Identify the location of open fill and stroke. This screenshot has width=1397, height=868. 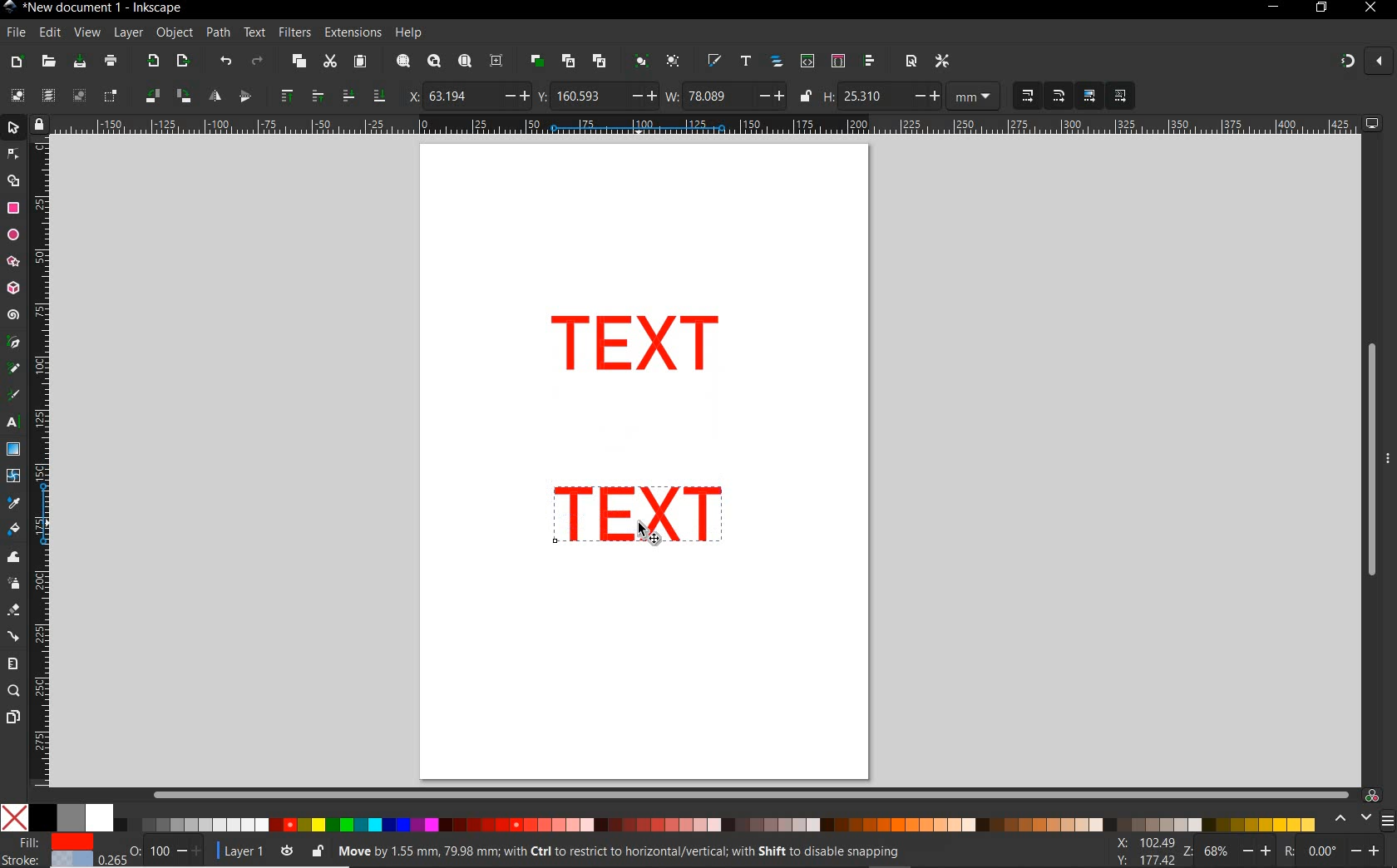
(715, 62).